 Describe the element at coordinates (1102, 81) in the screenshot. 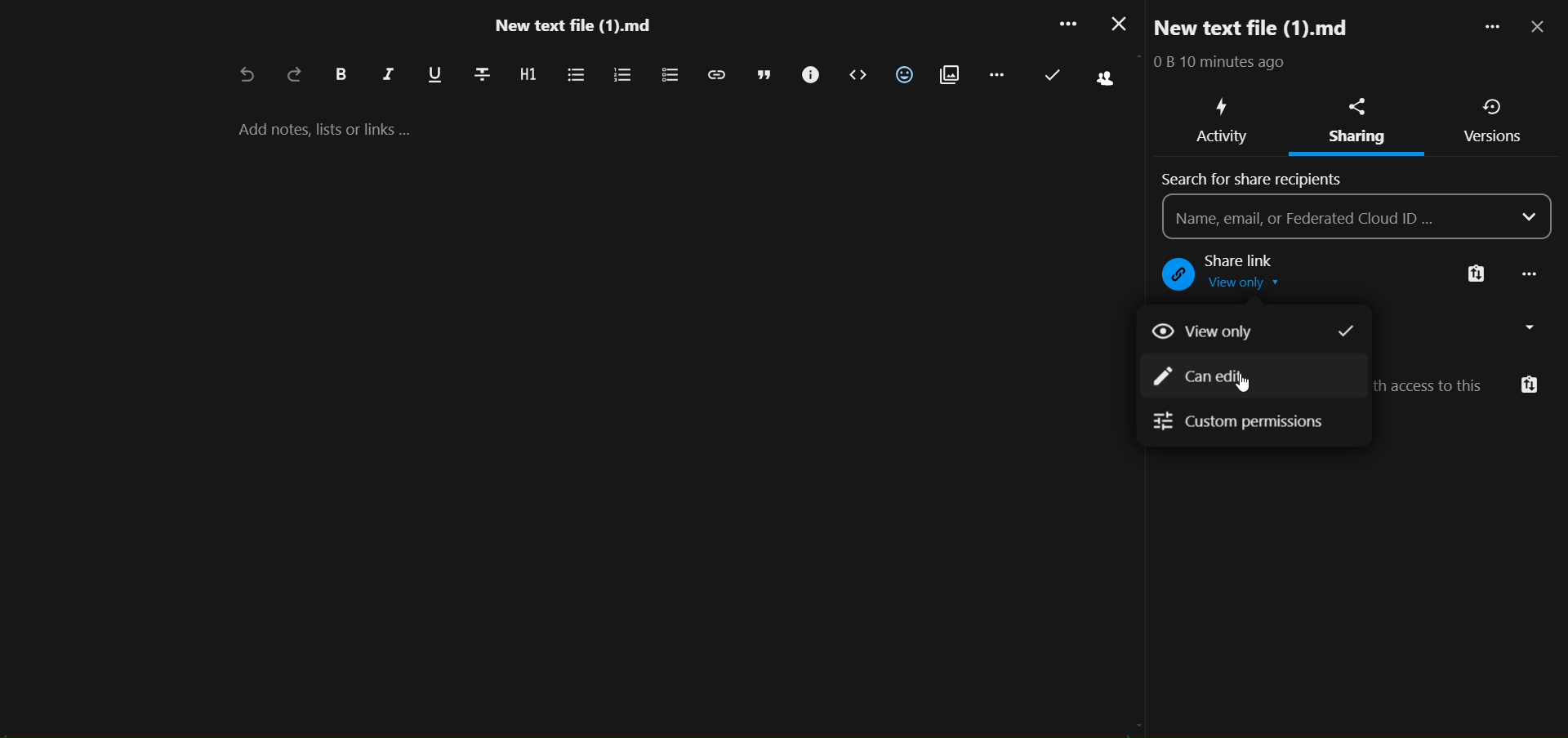

I see `active people` at that location.